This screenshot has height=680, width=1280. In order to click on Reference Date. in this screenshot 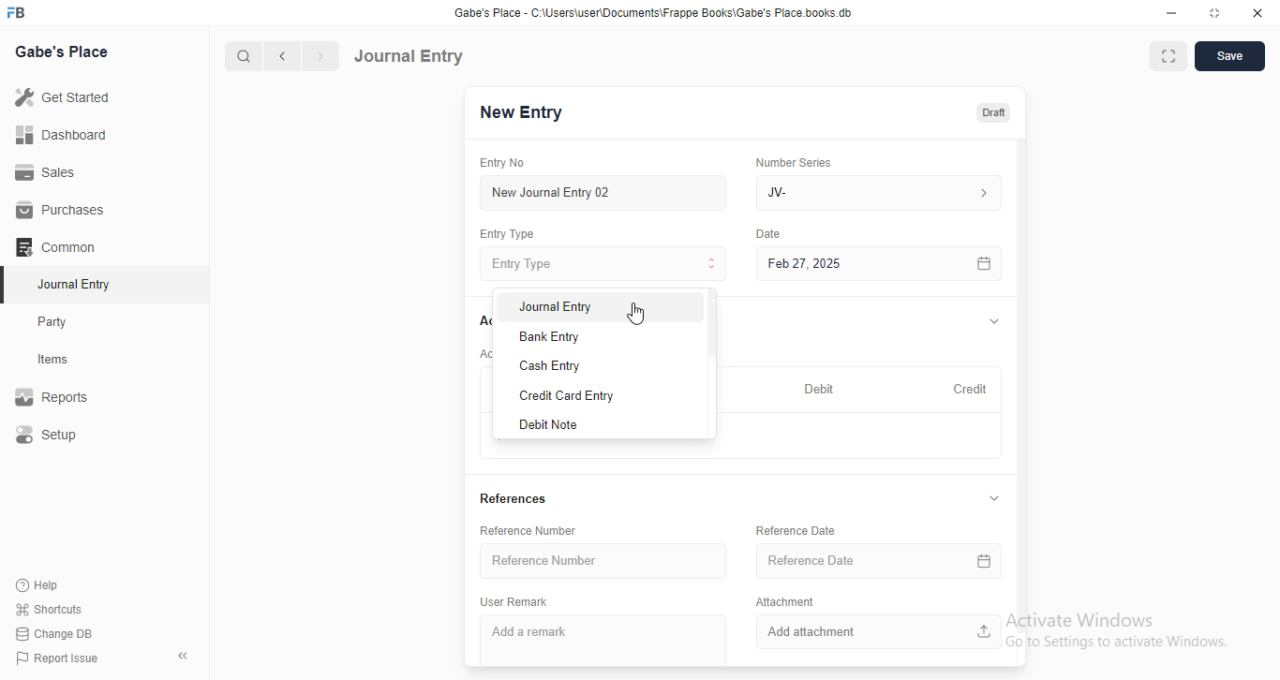, I will do `click(878, 564)`.